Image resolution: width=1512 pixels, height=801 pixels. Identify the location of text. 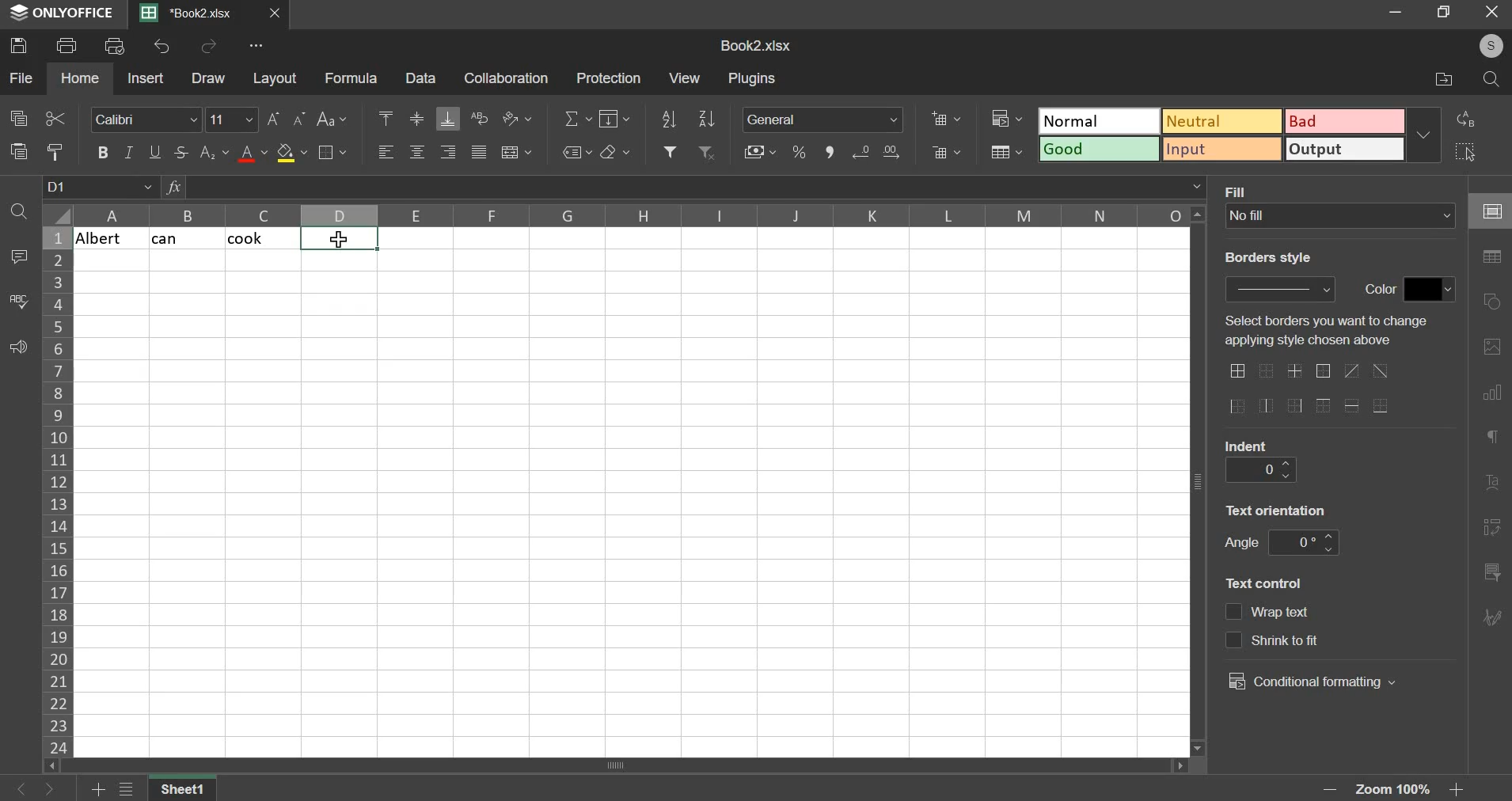
(1241, 545).